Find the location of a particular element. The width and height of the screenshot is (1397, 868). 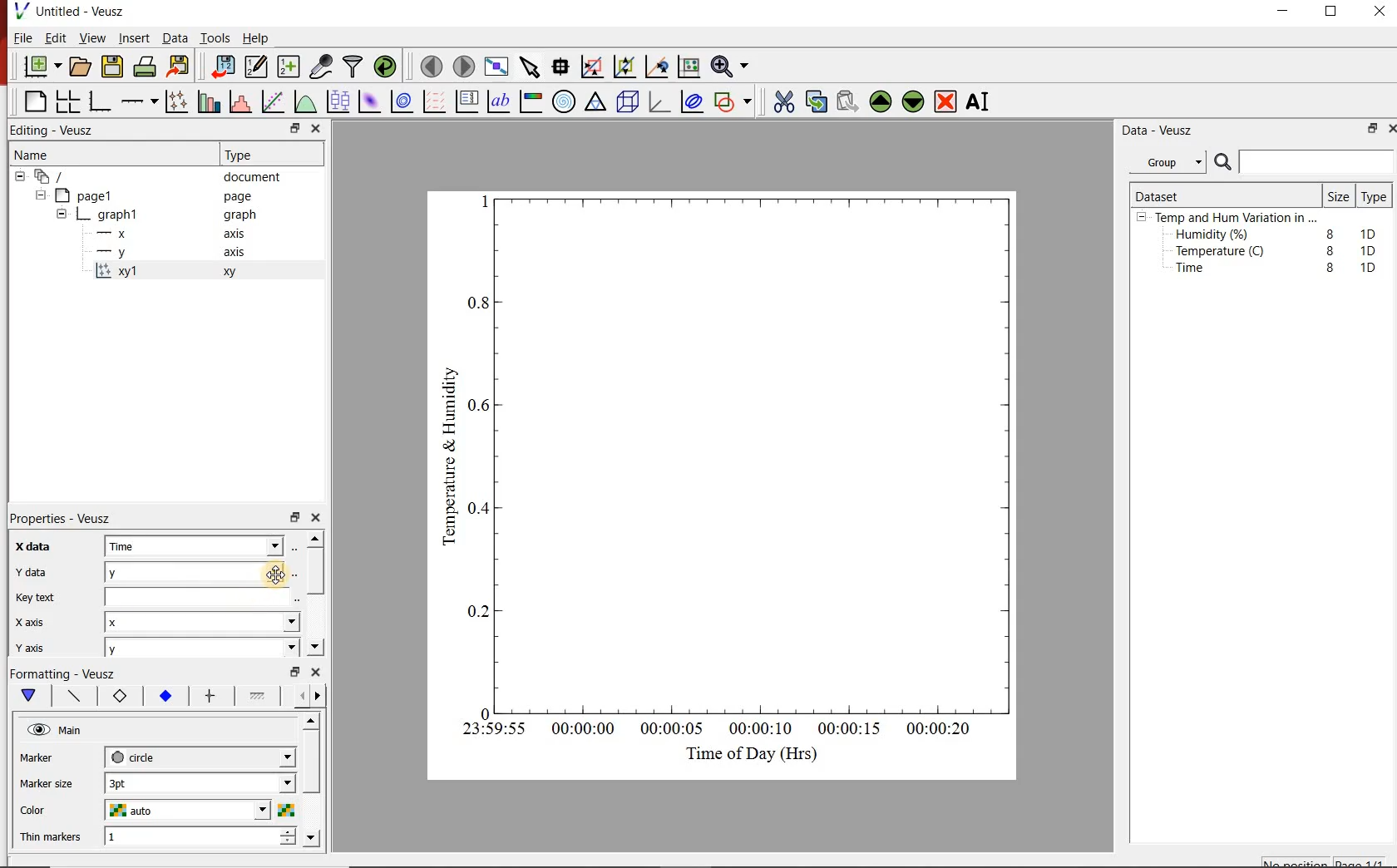

3d graph is located at coordinates (662, 104).